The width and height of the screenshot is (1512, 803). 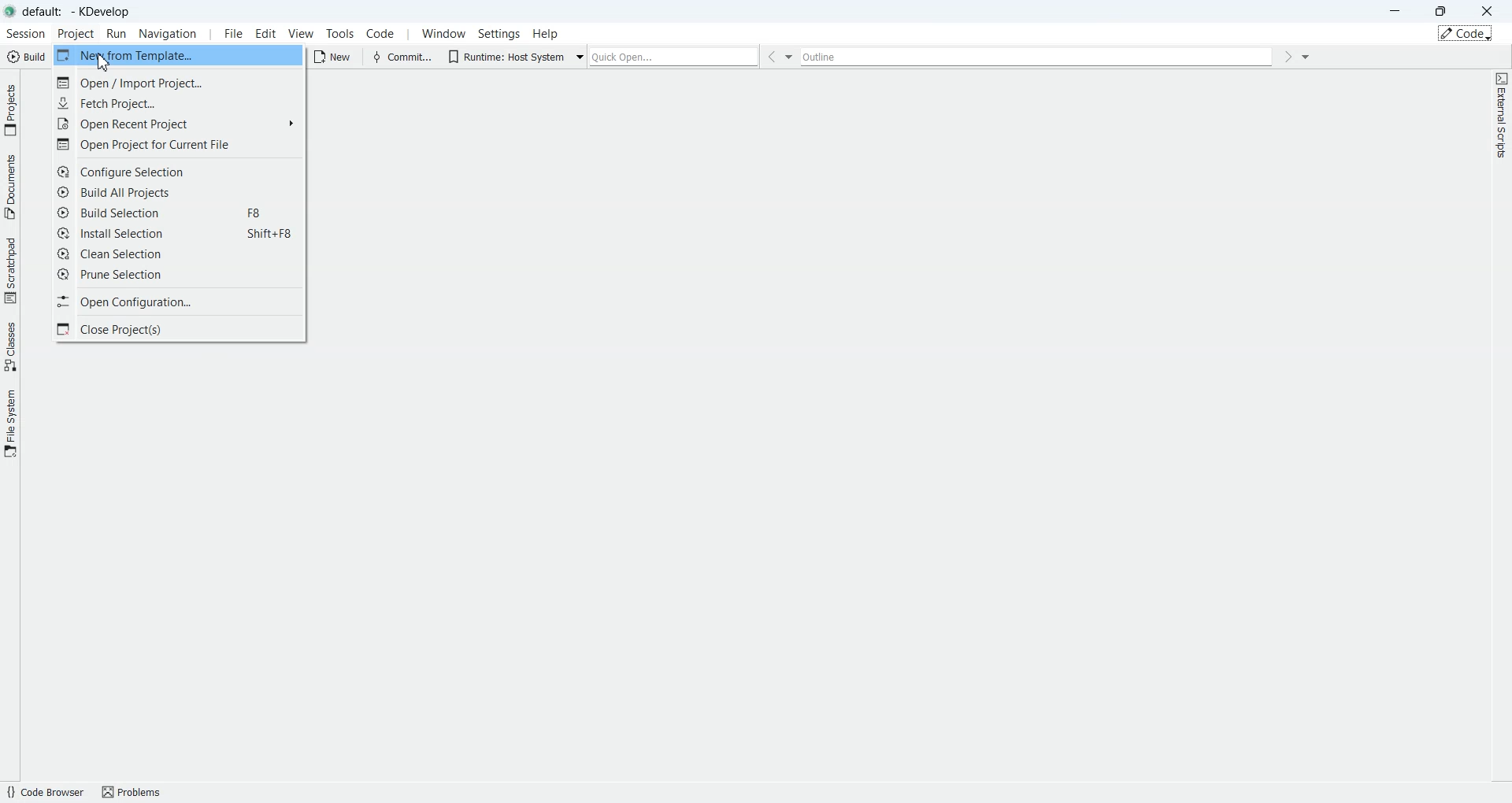 I want to click on Maximize, so click(x=1442, y=9).